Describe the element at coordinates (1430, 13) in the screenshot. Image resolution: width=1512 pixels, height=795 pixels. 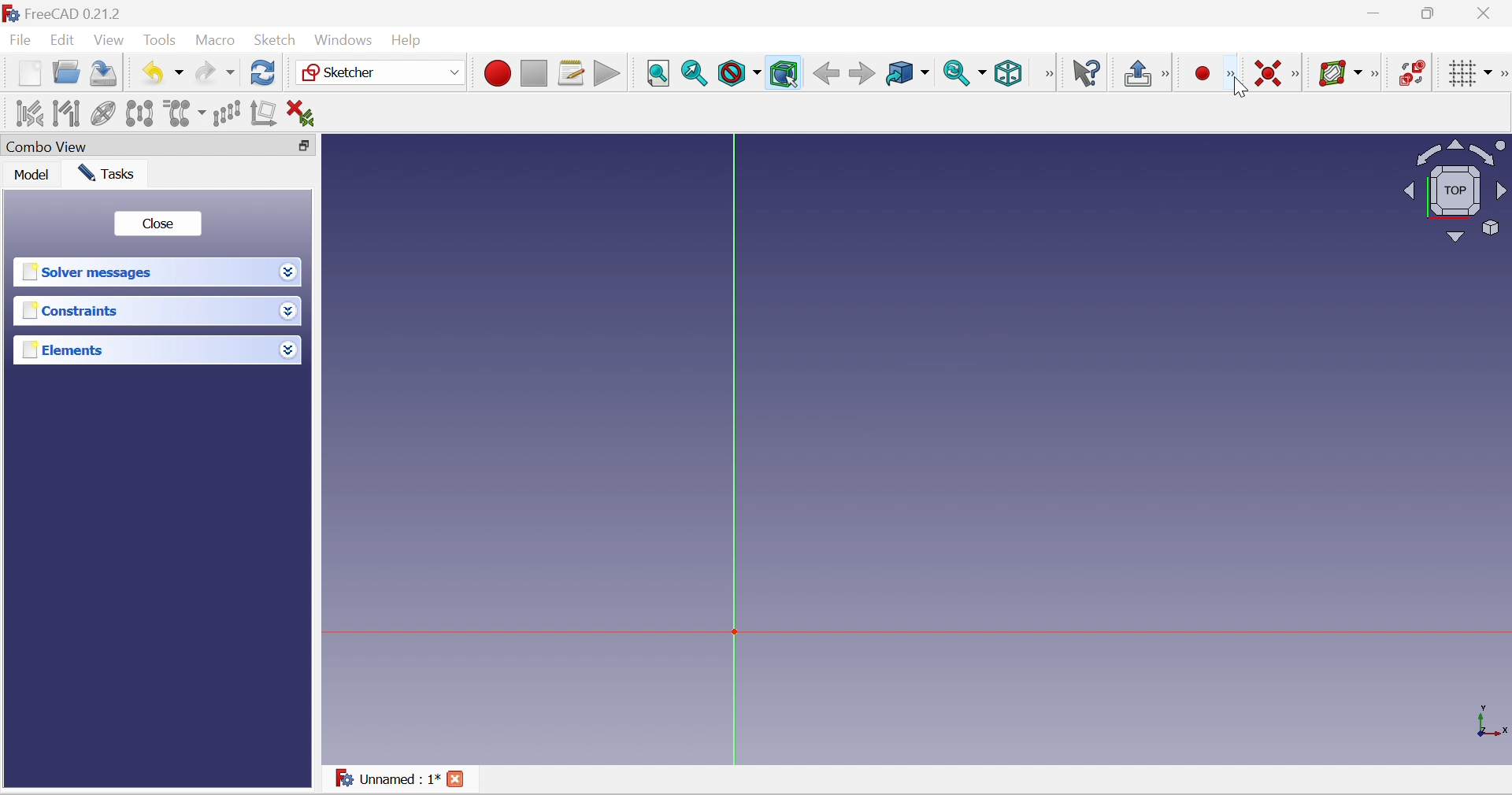
I see `maximize` at that location.